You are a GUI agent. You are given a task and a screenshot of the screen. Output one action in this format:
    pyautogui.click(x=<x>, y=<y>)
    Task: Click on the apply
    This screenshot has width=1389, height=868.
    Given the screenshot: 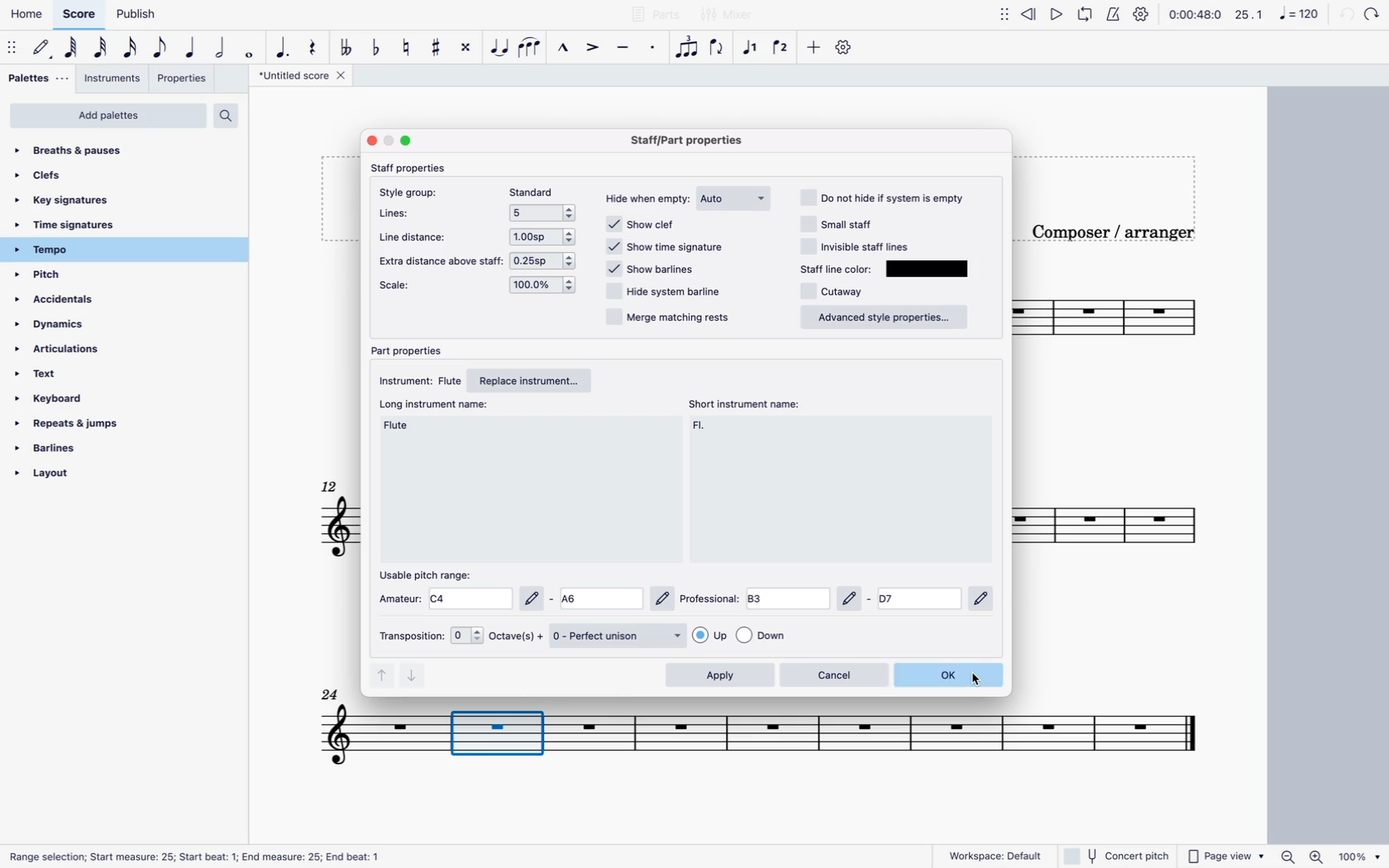 What is the action you would take?
    pyautogui.click(x=719, y=675)
    